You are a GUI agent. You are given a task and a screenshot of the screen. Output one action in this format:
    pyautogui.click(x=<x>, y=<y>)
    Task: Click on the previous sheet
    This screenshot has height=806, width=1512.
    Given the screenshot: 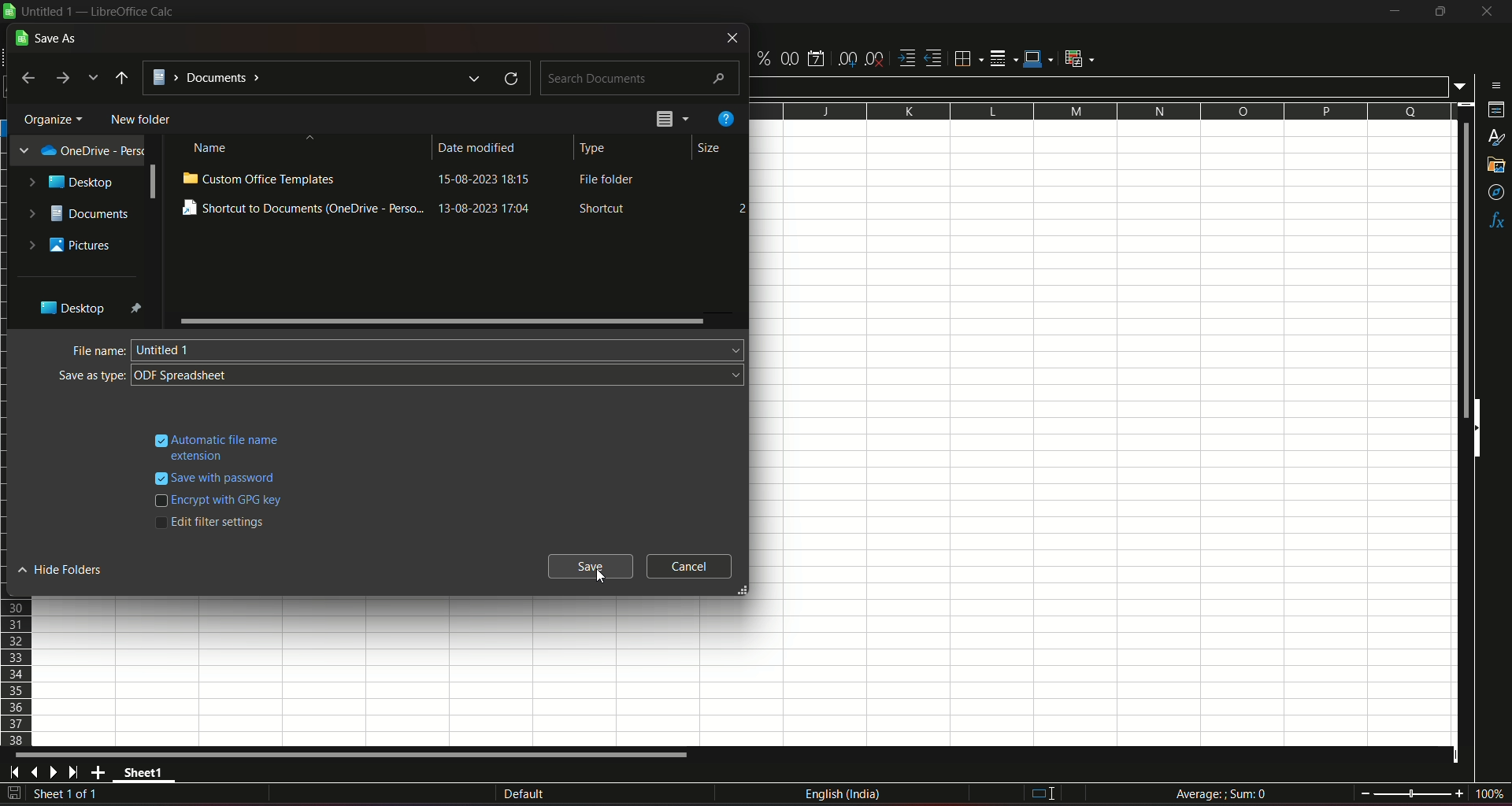 What is the action you would take?
    pyautogui.click(x=36, y=774)
    